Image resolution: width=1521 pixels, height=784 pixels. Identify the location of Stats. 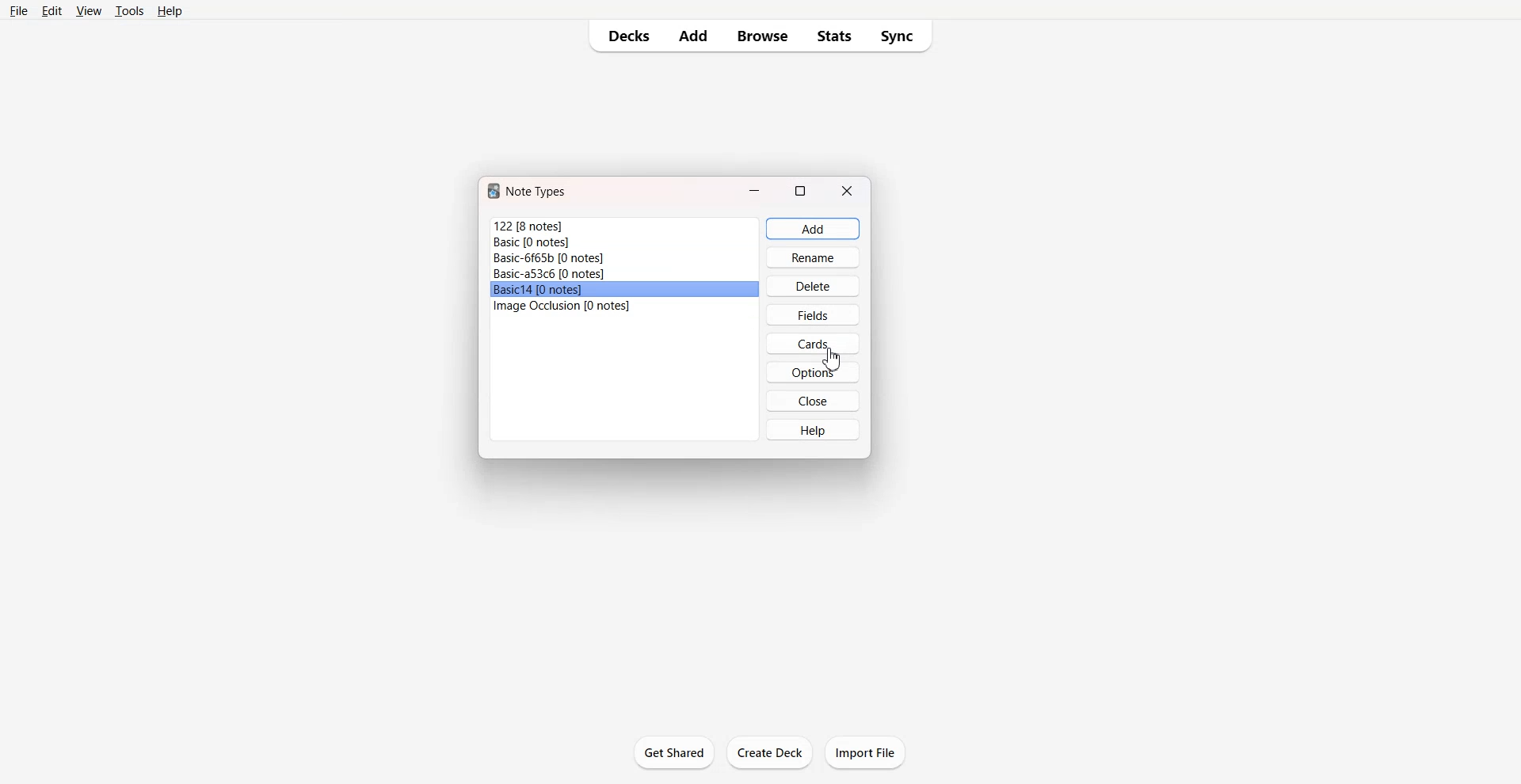
(833, 36).